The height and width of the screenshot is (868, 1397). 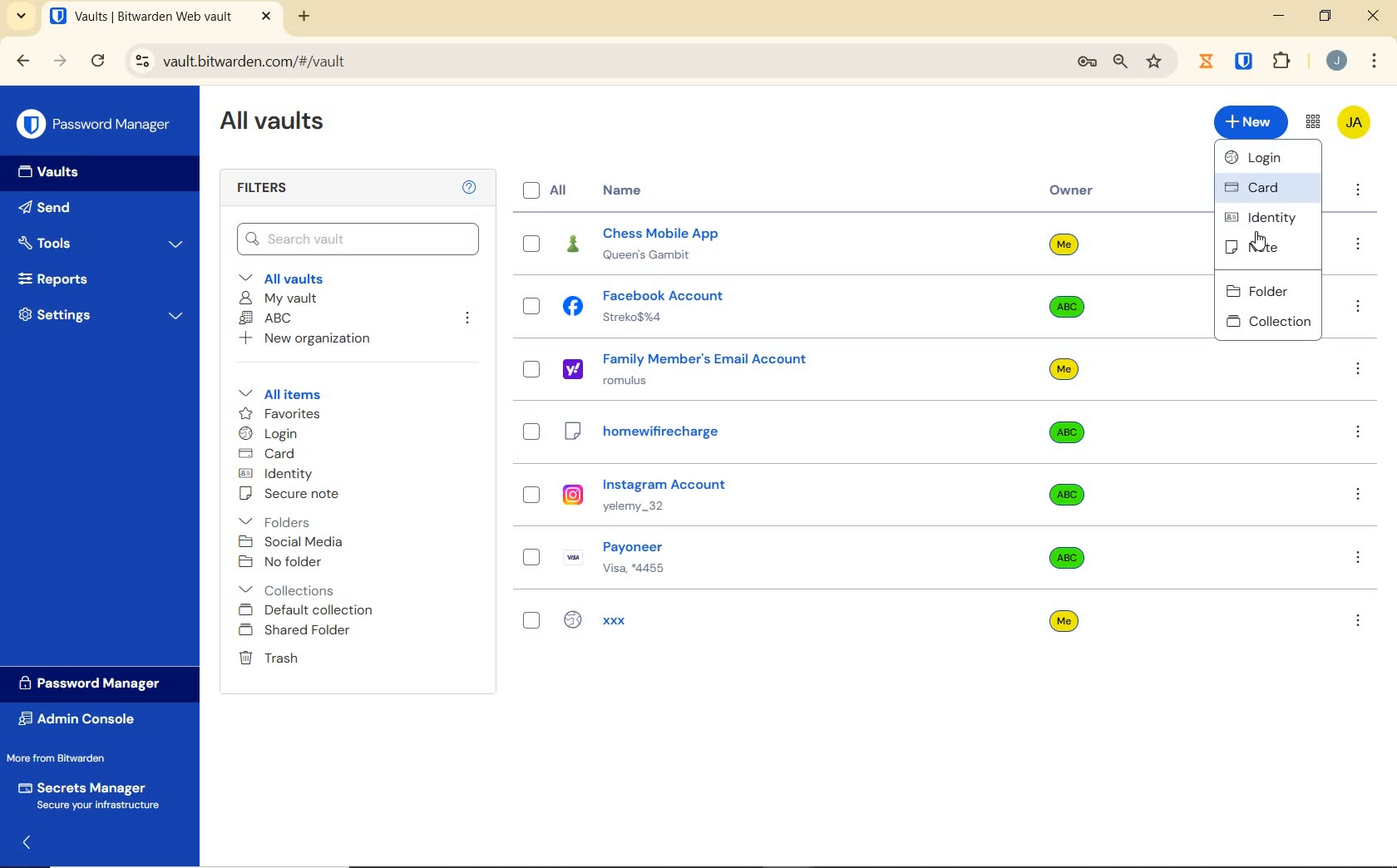 I want to click on Default collection, so click(x=310, y=611).